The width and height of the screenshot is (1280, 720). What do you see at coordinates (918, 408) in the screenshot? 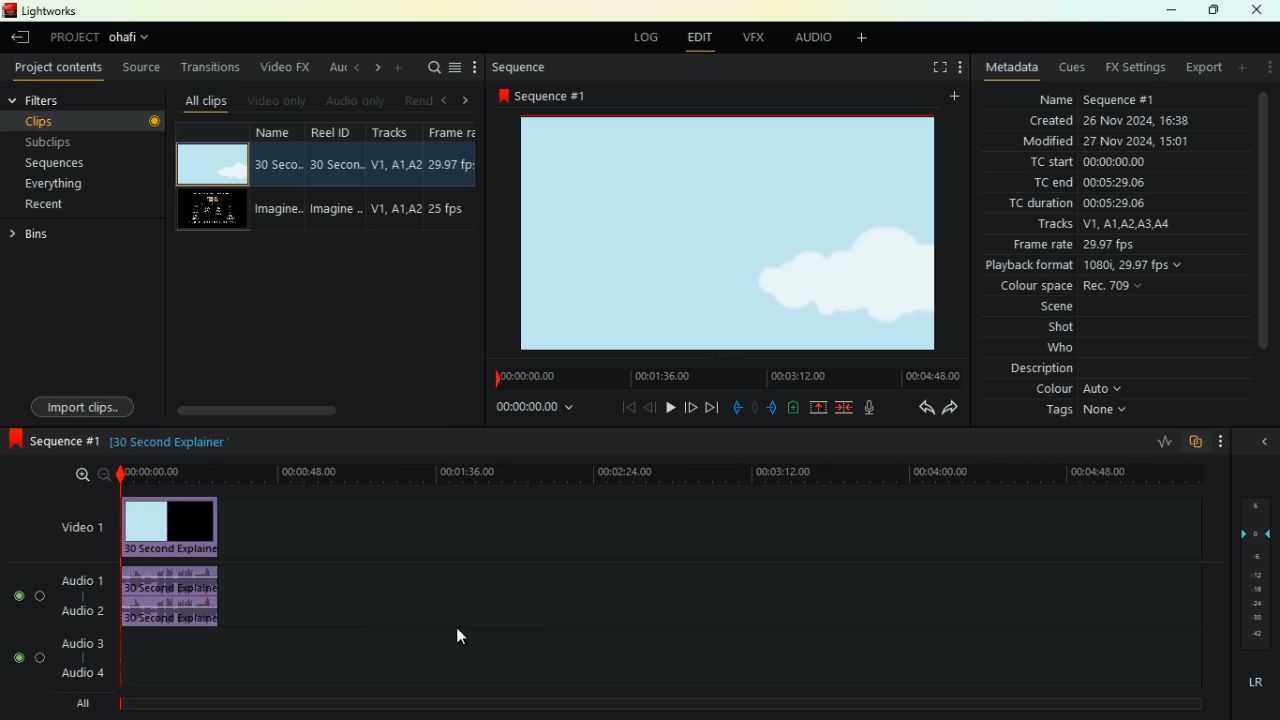
I see `back` at bounding box center [918, 408].